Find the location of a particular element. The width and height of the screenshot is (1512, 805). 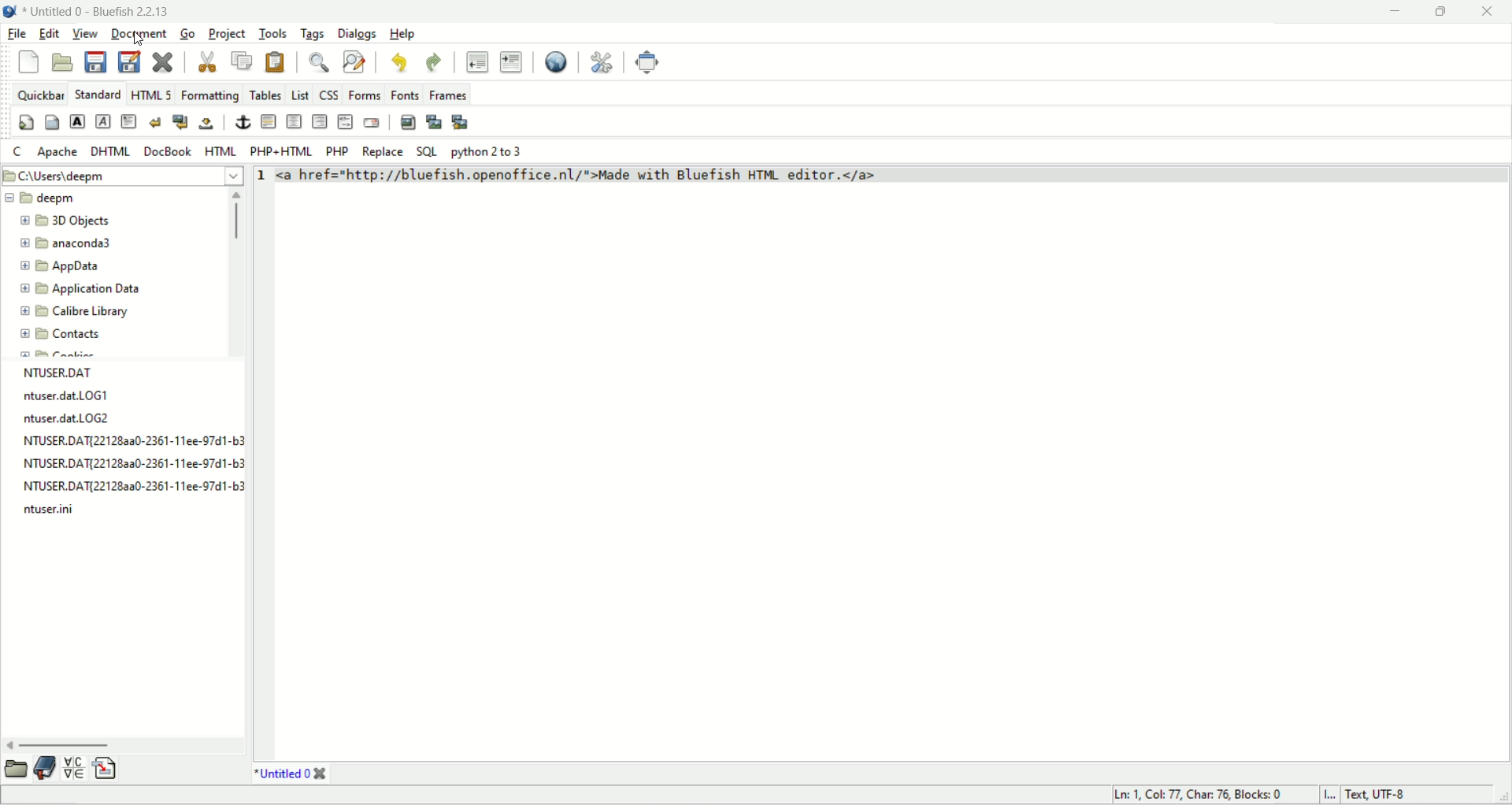

replace is located at coordinates (382, 152).